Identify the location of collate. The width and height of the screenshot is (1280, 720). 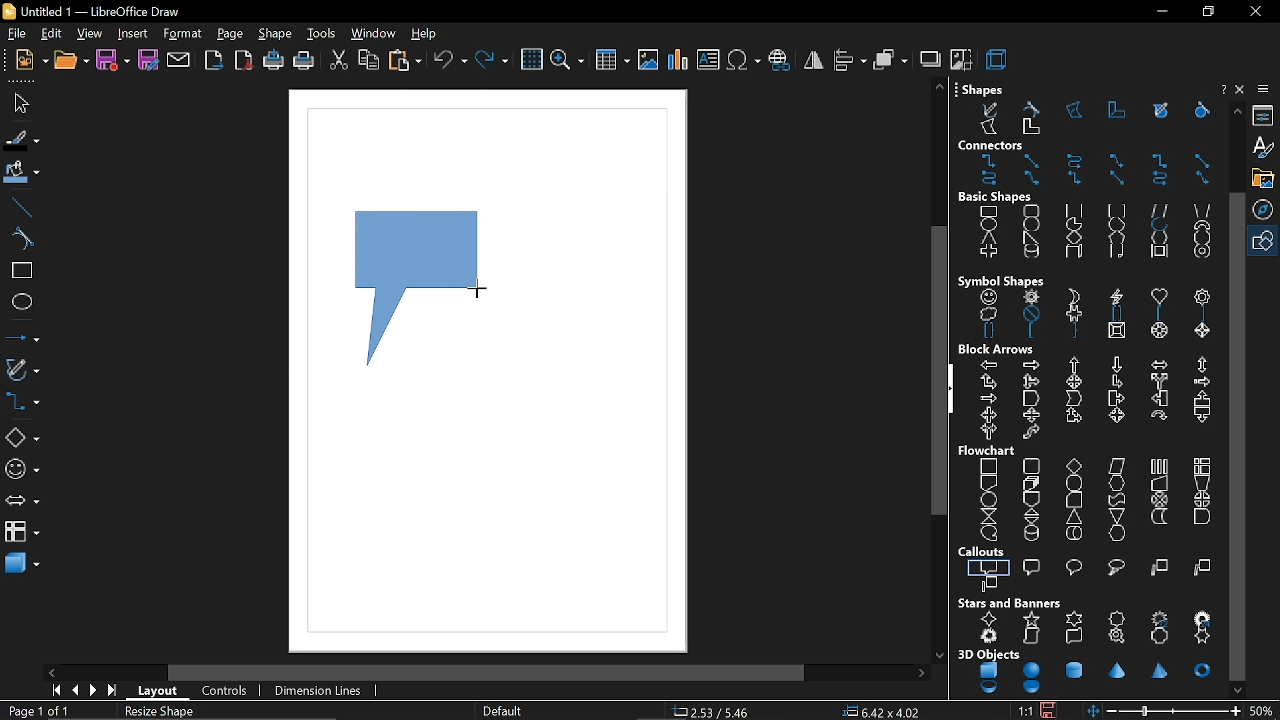
(986, 516).